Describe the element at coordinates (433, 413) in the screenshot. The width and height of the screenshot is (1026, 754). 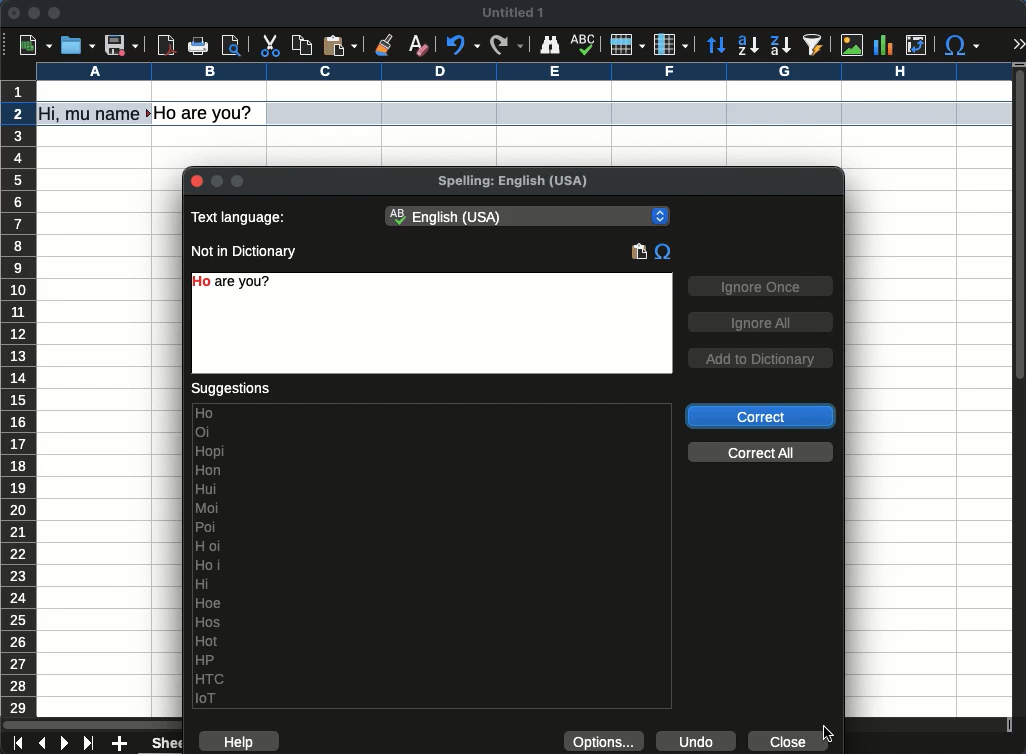
I see `Ho` at that location.